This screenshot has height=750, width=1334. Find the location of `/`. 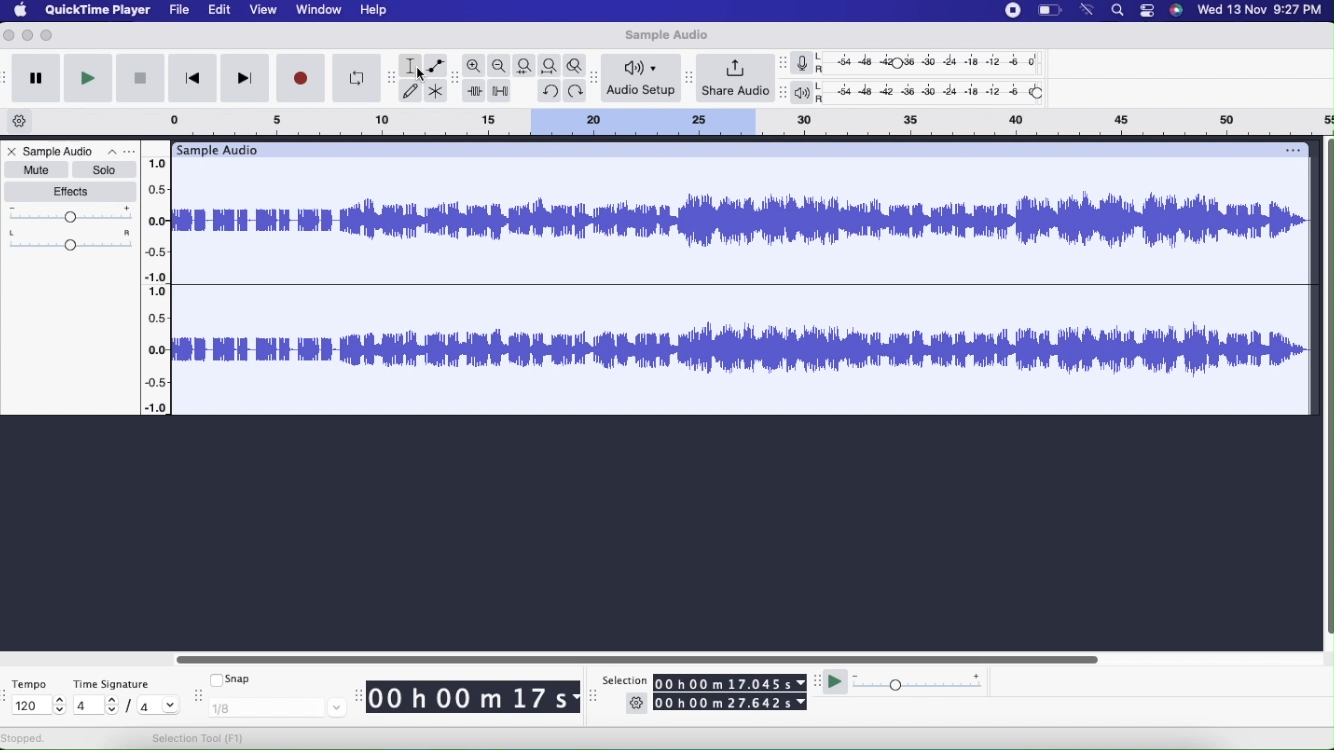

/ is located at coordinates (132, 709).